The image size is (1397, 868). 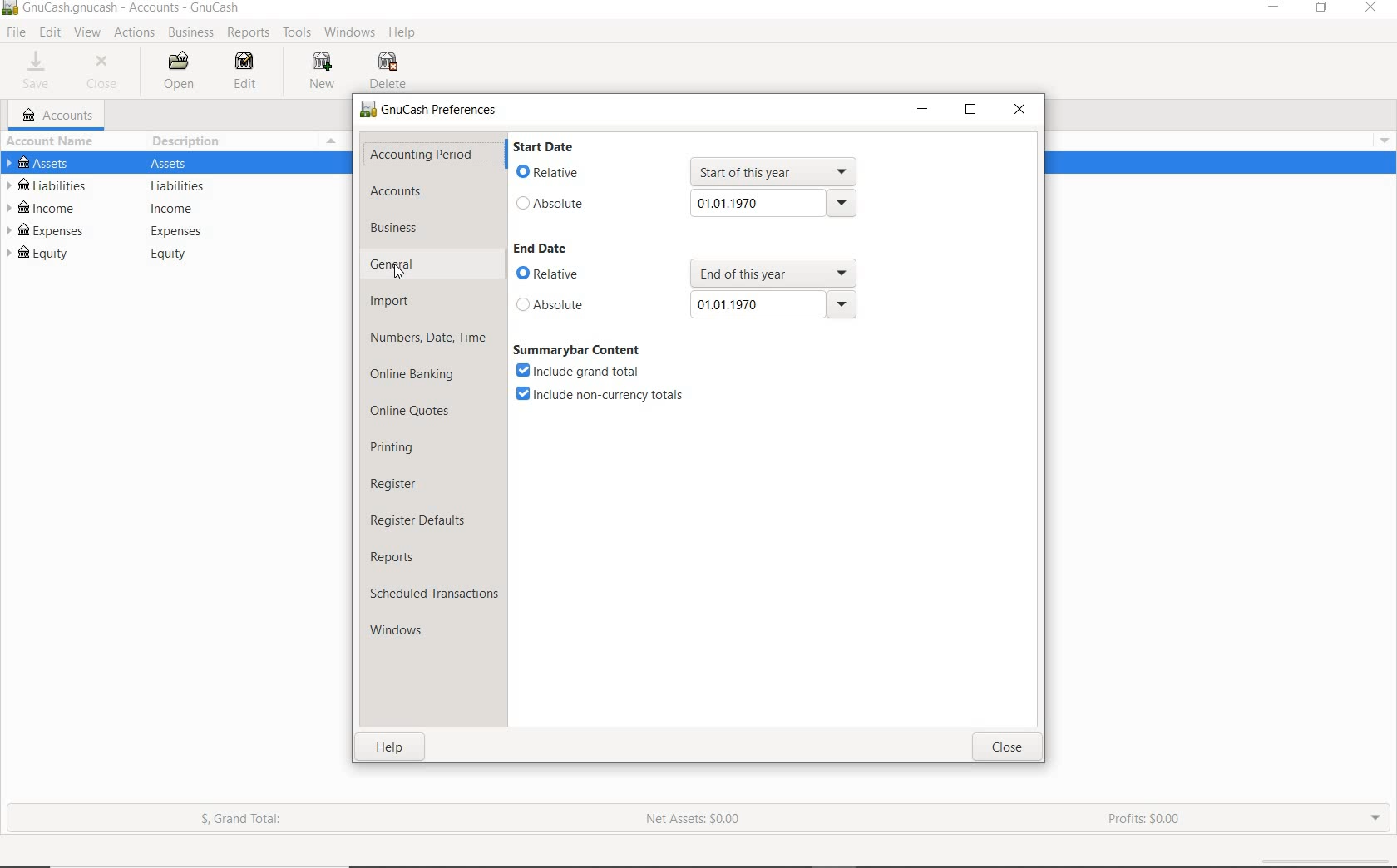 I want to click on 01.01.1970, so click(x=773, y=305).